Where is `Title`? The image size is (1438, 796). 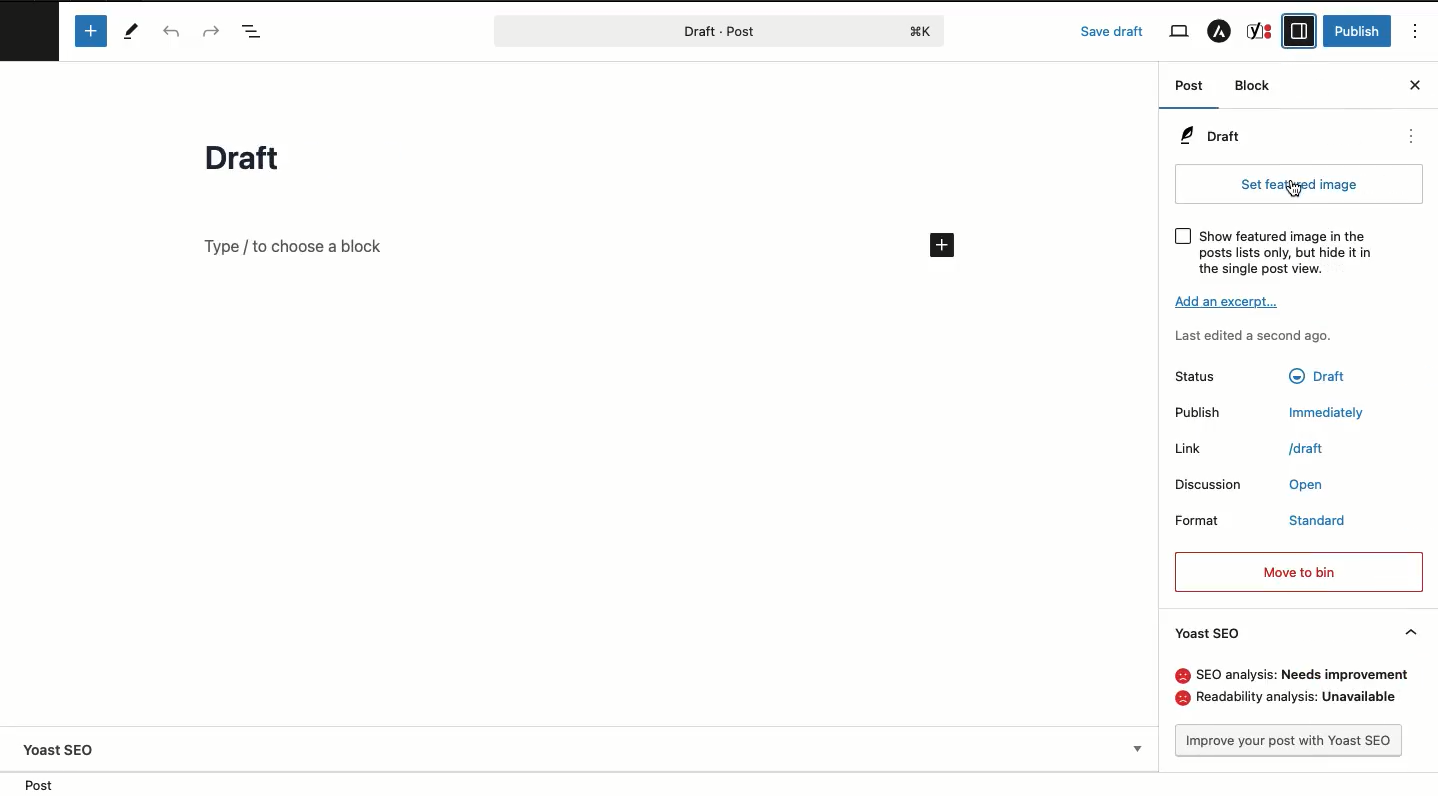
Title is located at coordinates (247, 159).